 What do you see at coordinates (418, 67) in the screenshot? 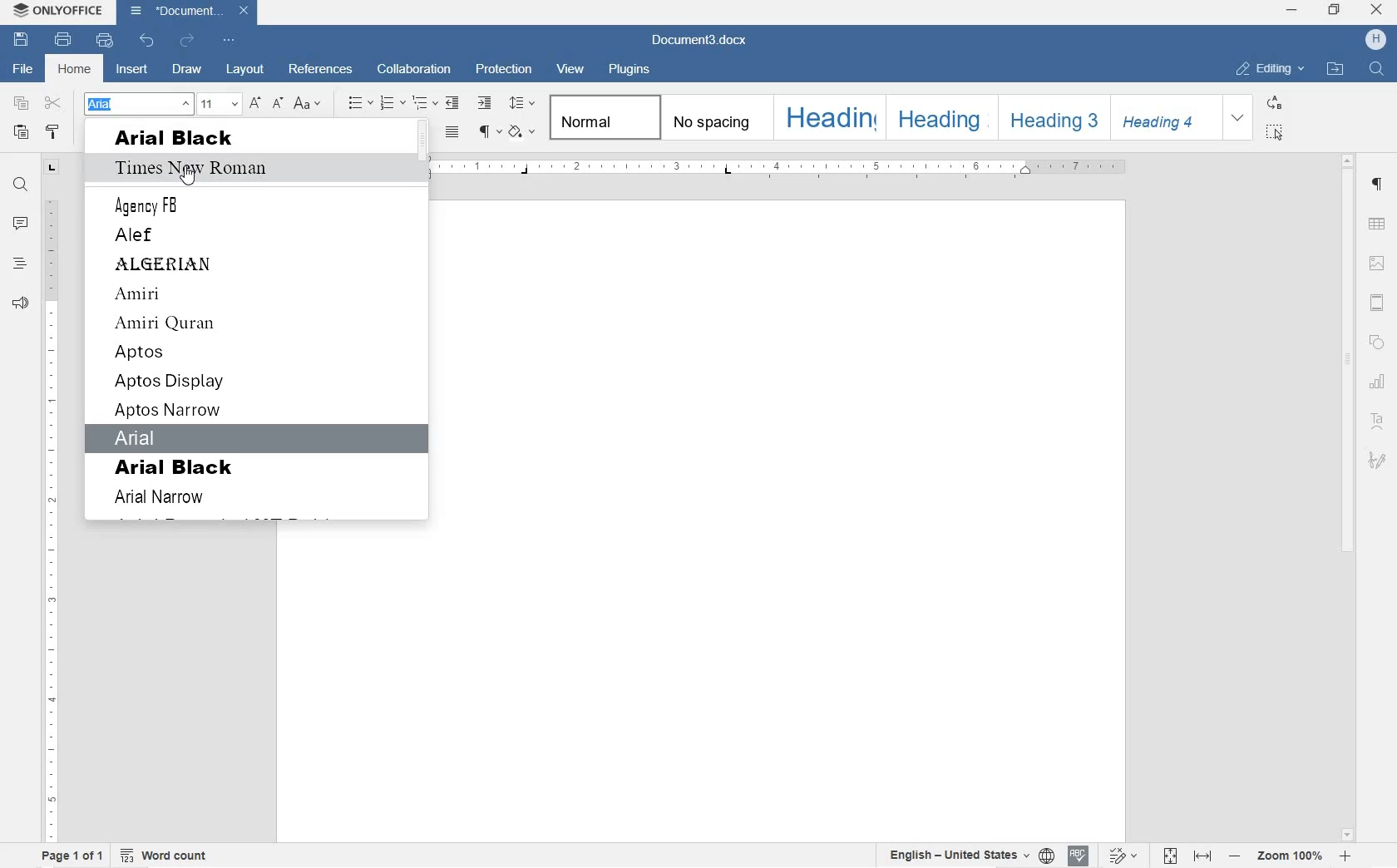
I see `COLLABORATION` at bounding box center [418, 67].